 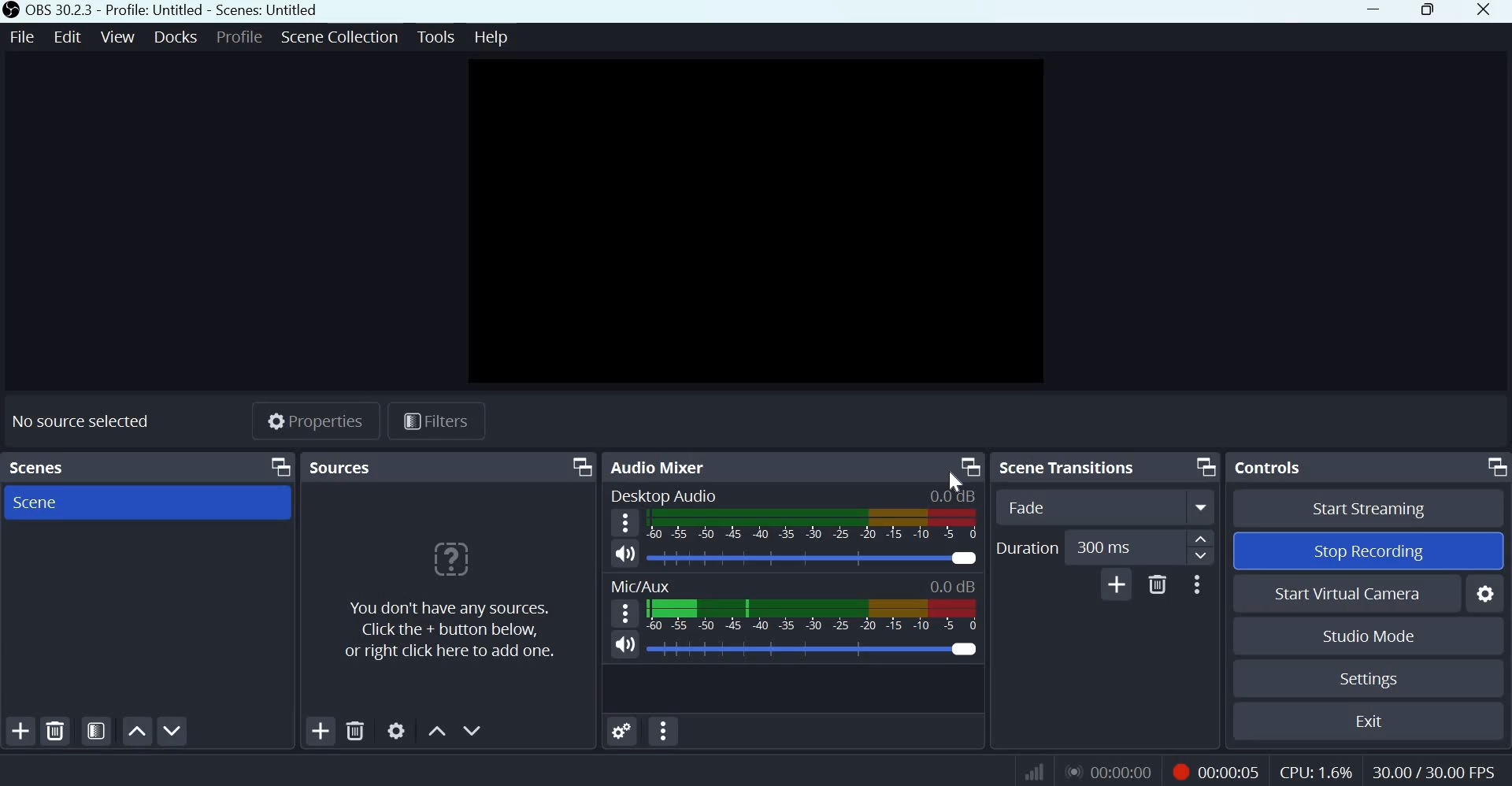 I want to click on Start Virtual Camera, so click(x=1344, y=594).